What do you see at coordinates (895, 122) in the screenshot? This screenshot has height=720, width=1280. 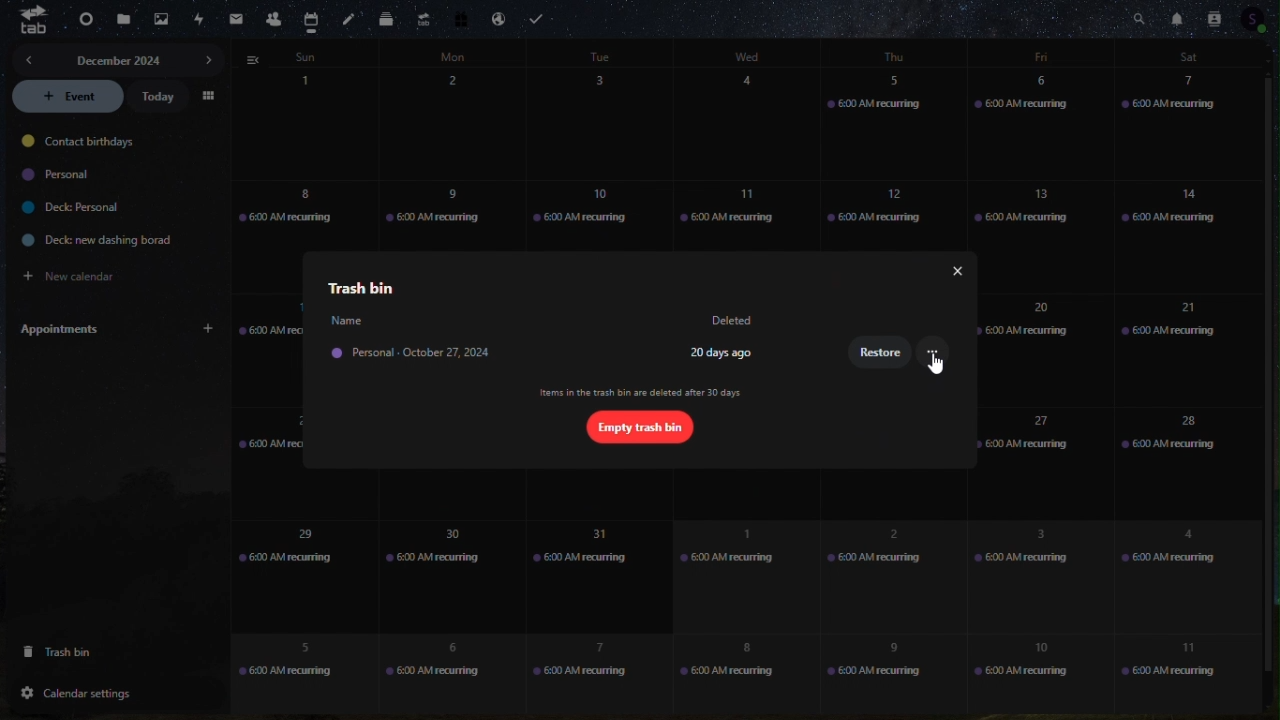 I see `5` at bounding box center [895, 122].